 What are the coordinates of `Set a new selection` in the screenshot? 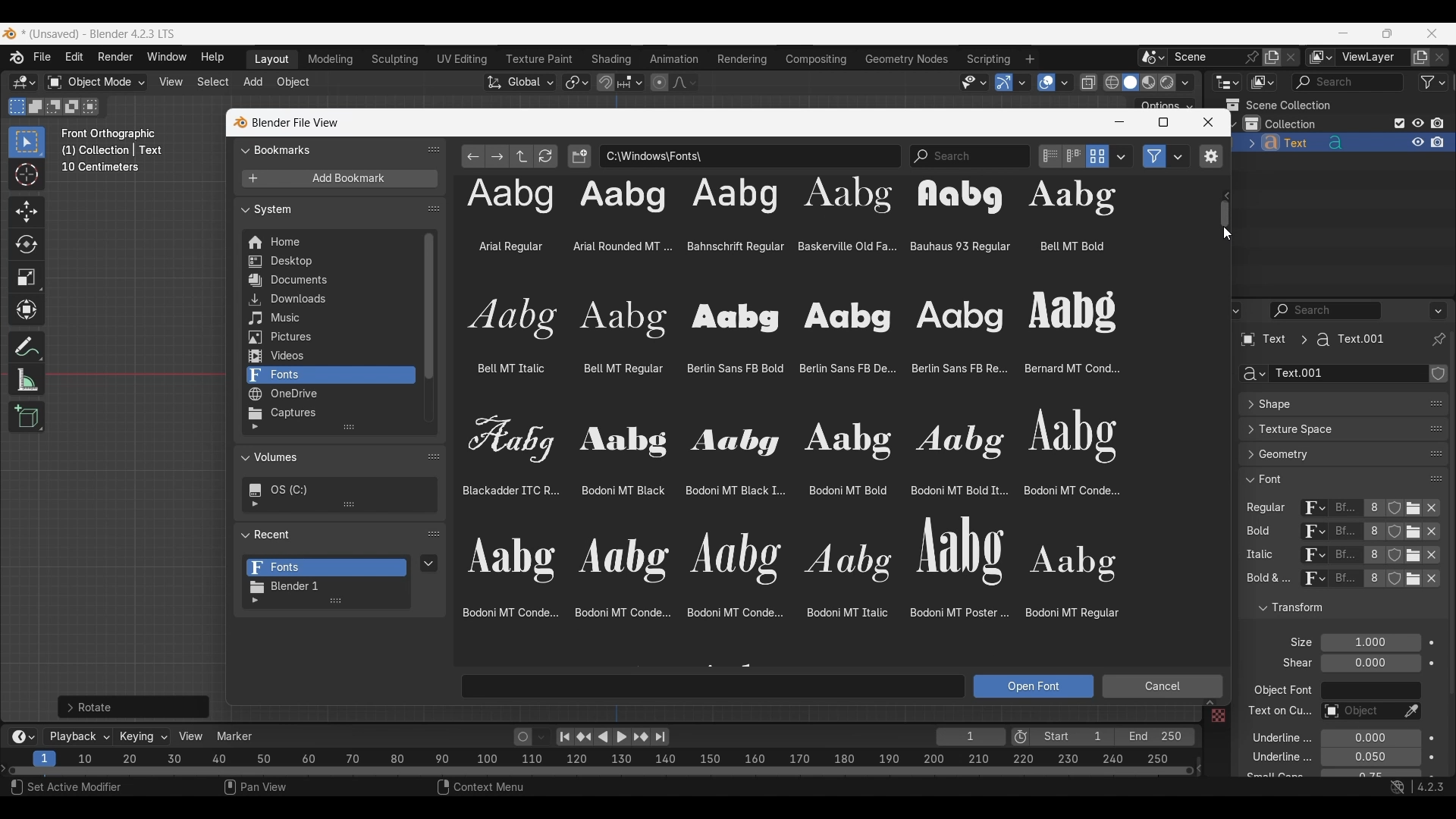 It's located at (17, 106).